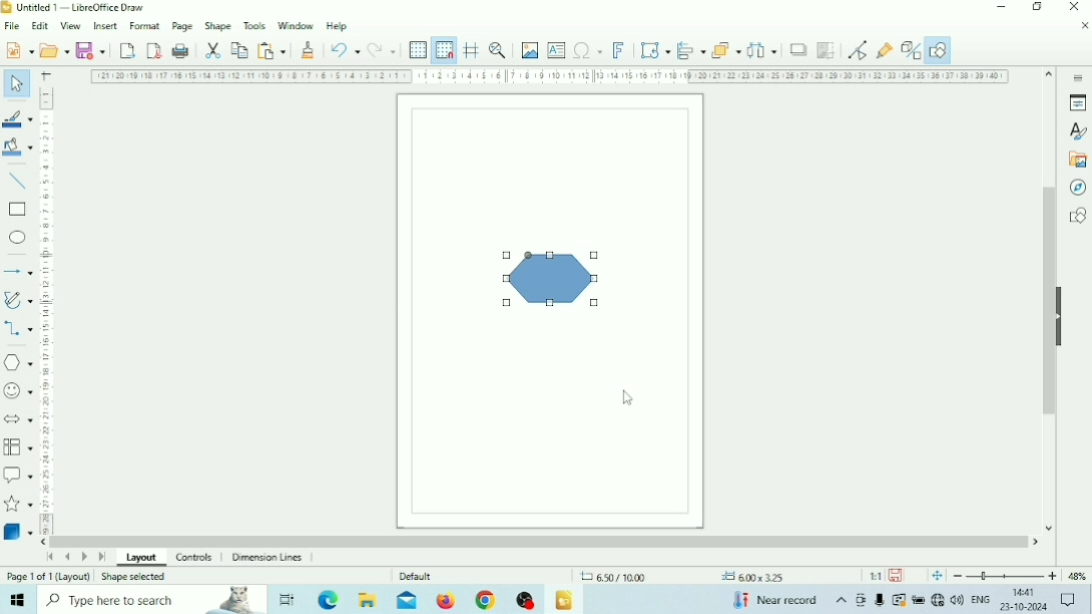 The height and width of the screenshot is (614, 1092). What do you see at coordinates (146, 25) in the screenshot?
I see `Format` at bounding box center [146, 25].